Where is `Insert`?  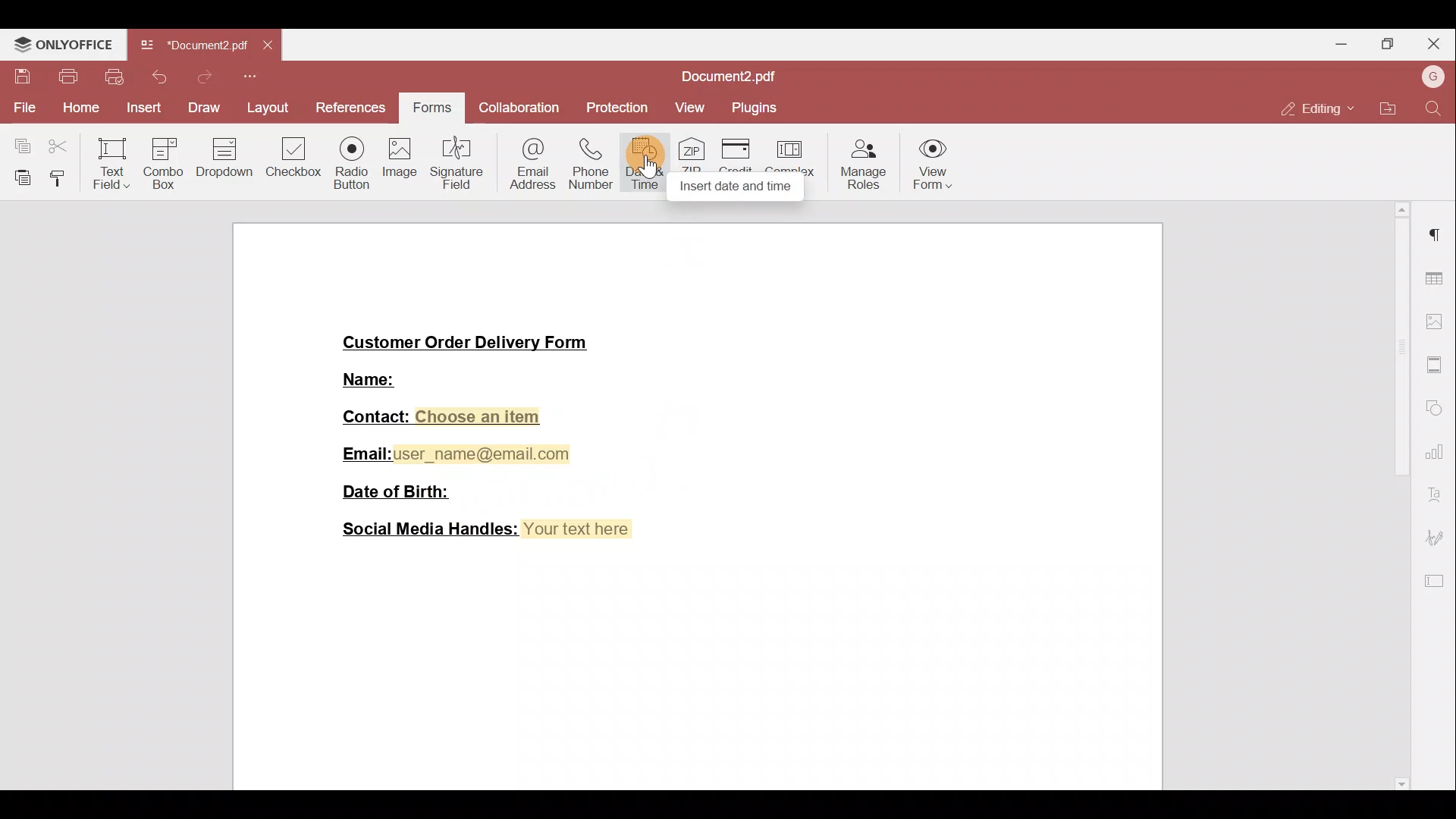 Insert is located at coordinates (143, 108).